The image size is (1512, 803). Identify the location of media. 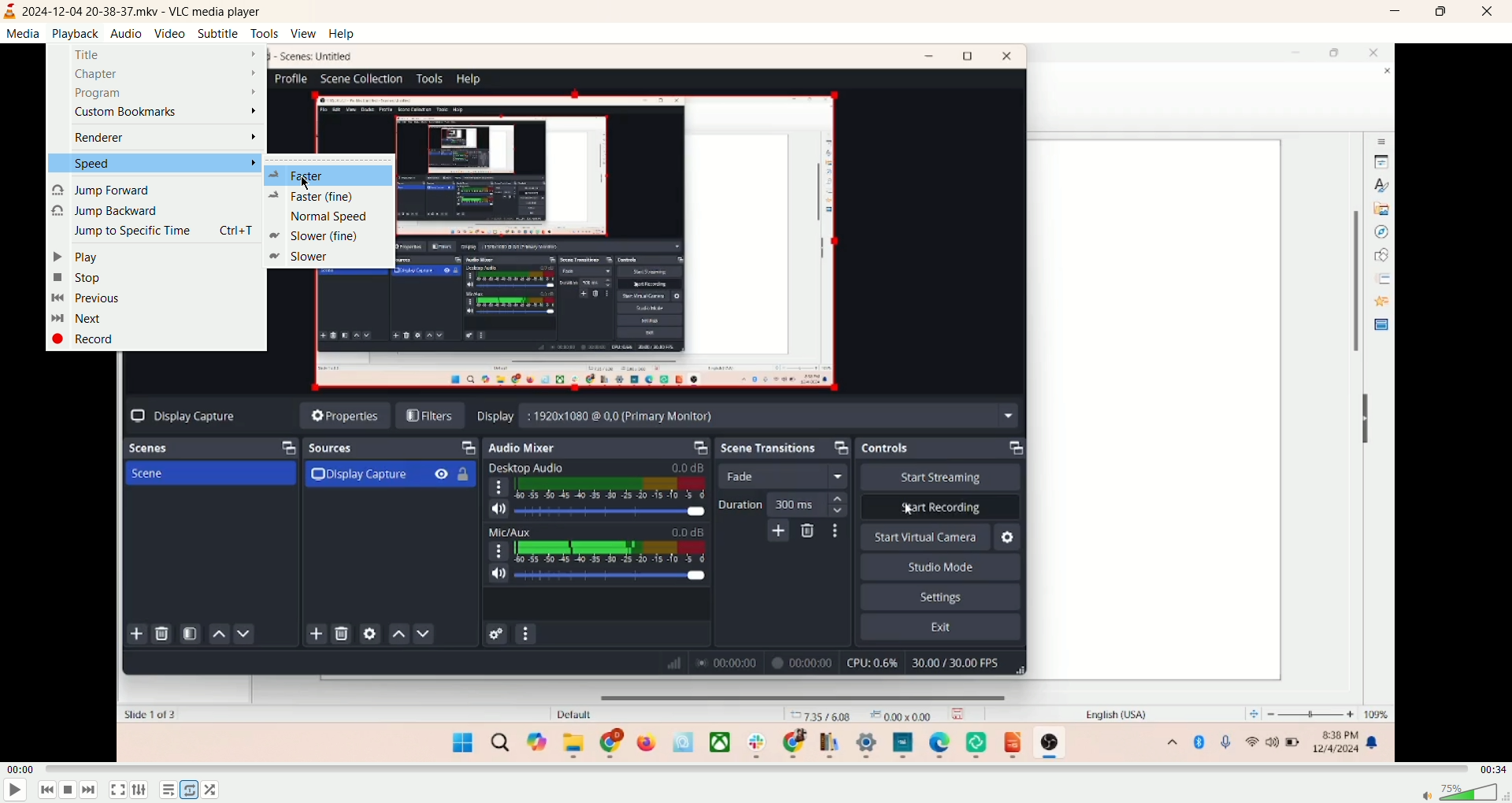
(23, 35).